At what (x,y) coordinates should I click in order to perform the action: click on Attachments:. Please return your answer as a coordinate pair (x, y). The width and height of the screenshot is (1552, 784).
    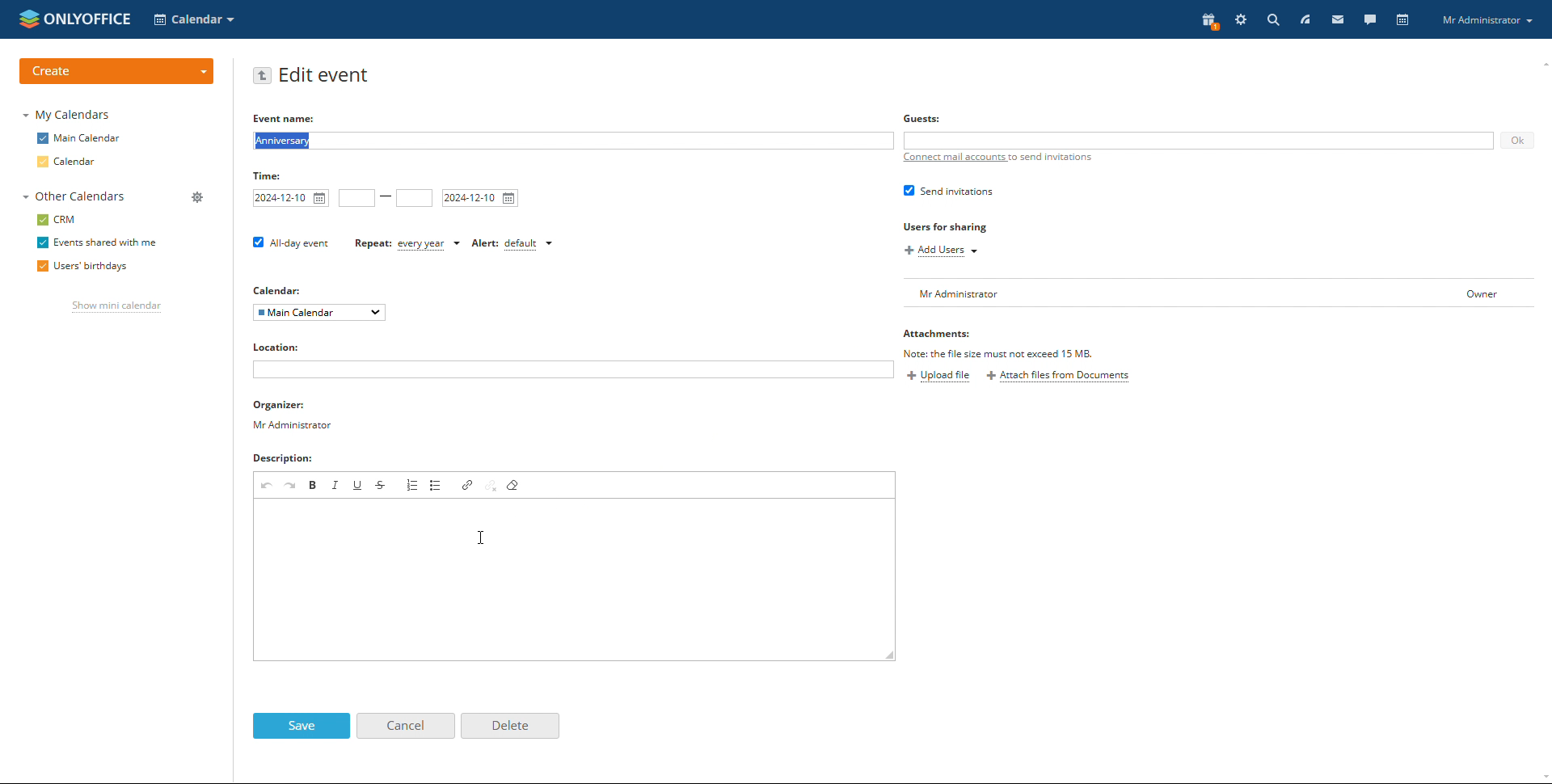
    Looking at the image, I should click on (943, 335).